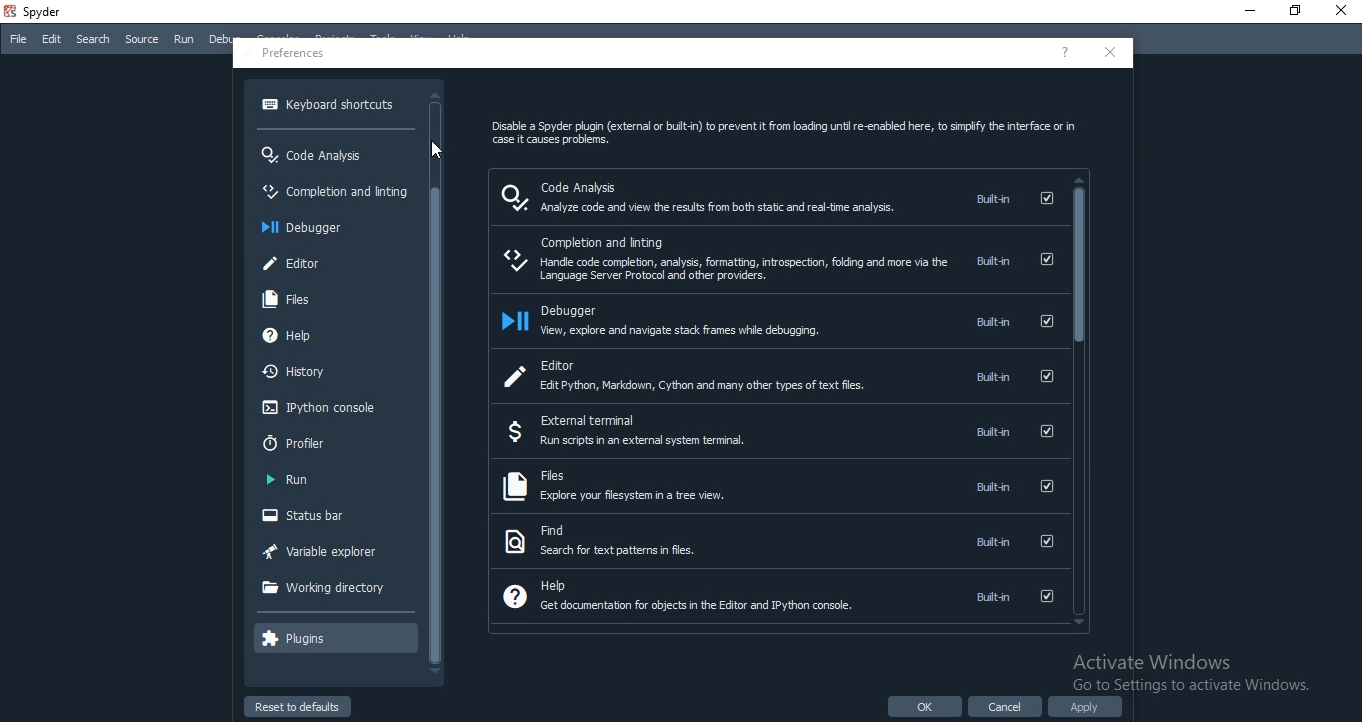  I want to click on Activate Windows
Go to Settings to activate Windows., so click(1182, 673).